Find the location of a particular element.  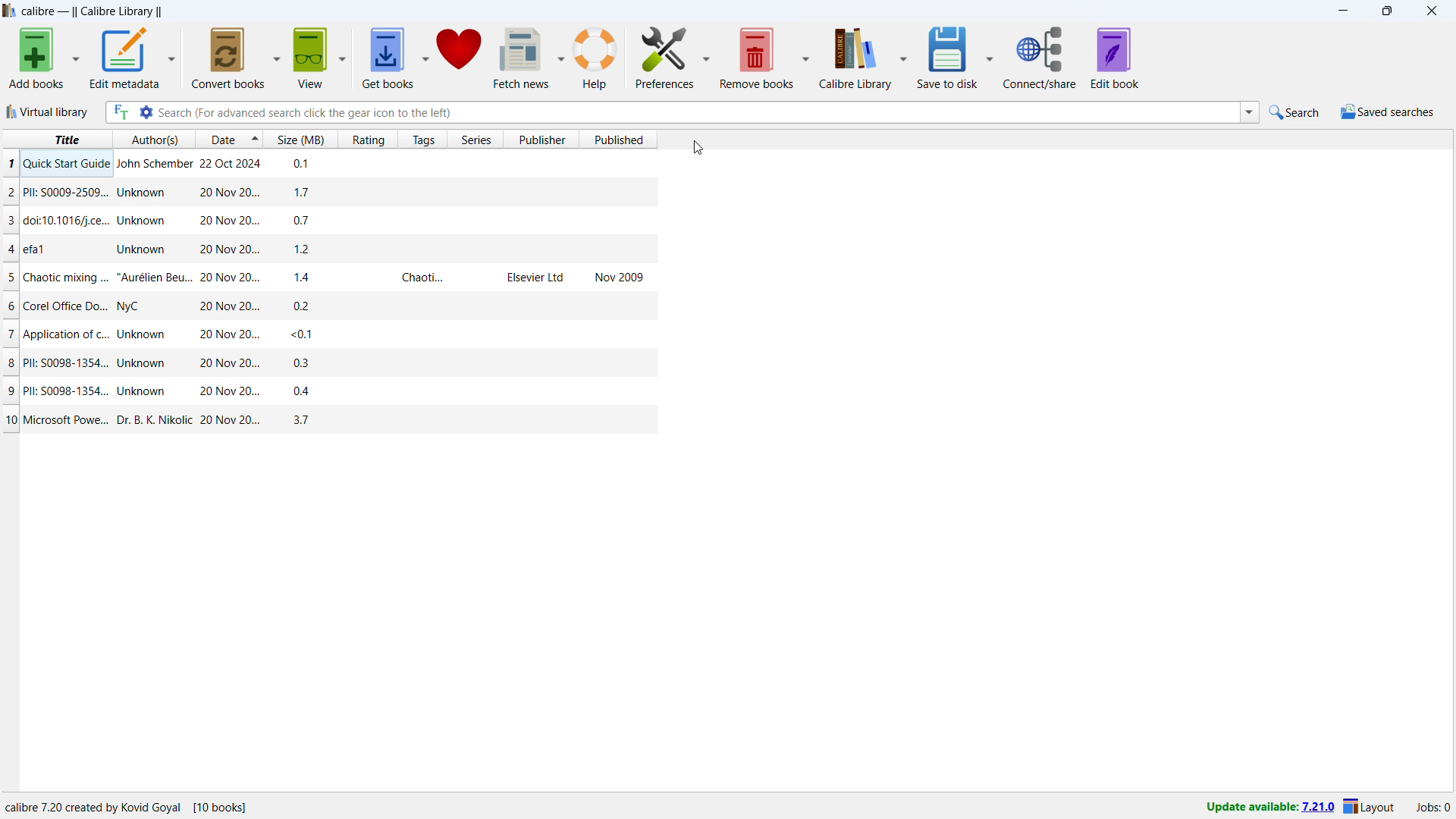

get books options is located at coordinates (425, 58).